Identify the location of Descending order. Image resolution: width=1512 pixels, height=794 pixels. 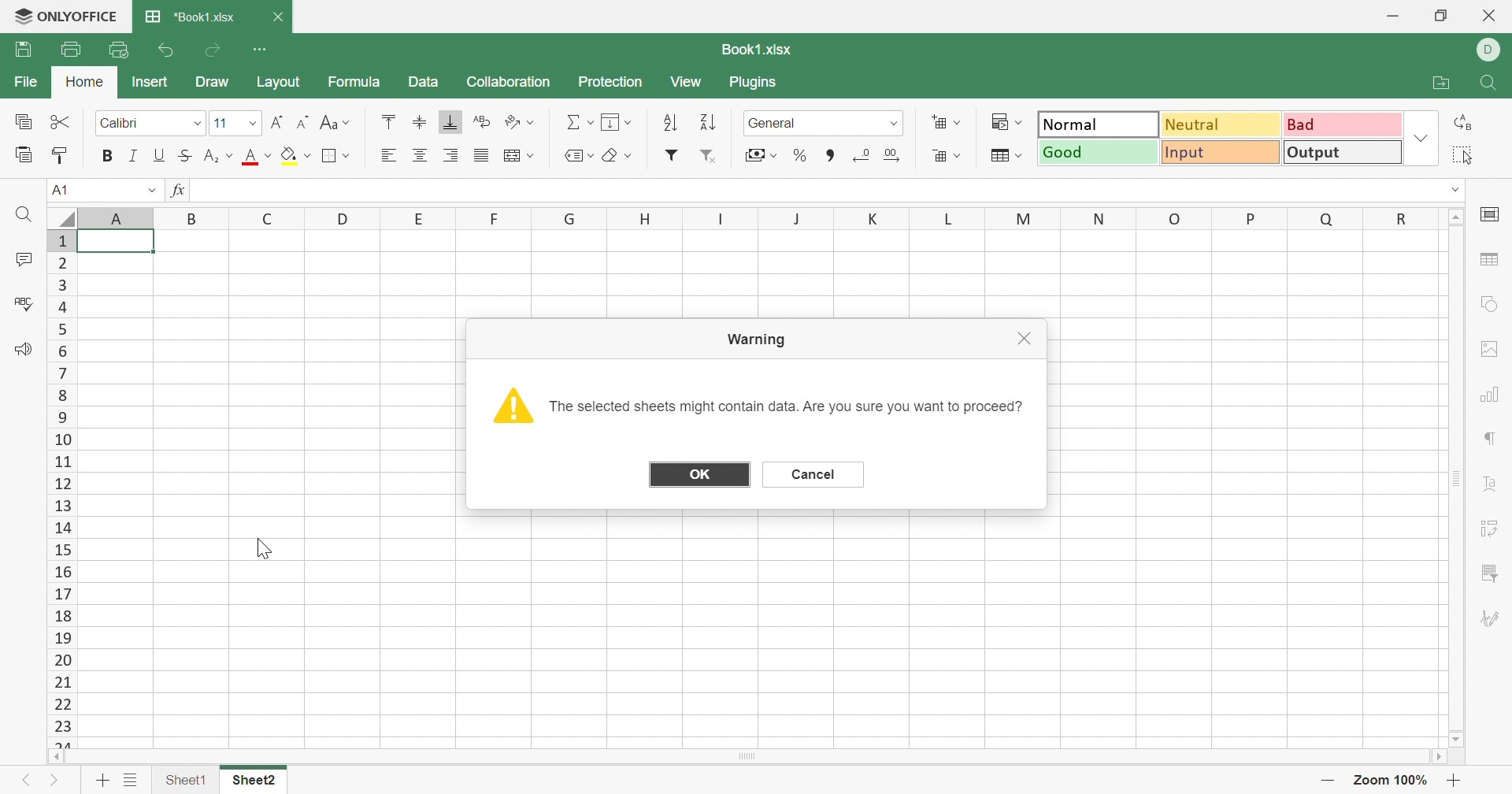
(712, 121).